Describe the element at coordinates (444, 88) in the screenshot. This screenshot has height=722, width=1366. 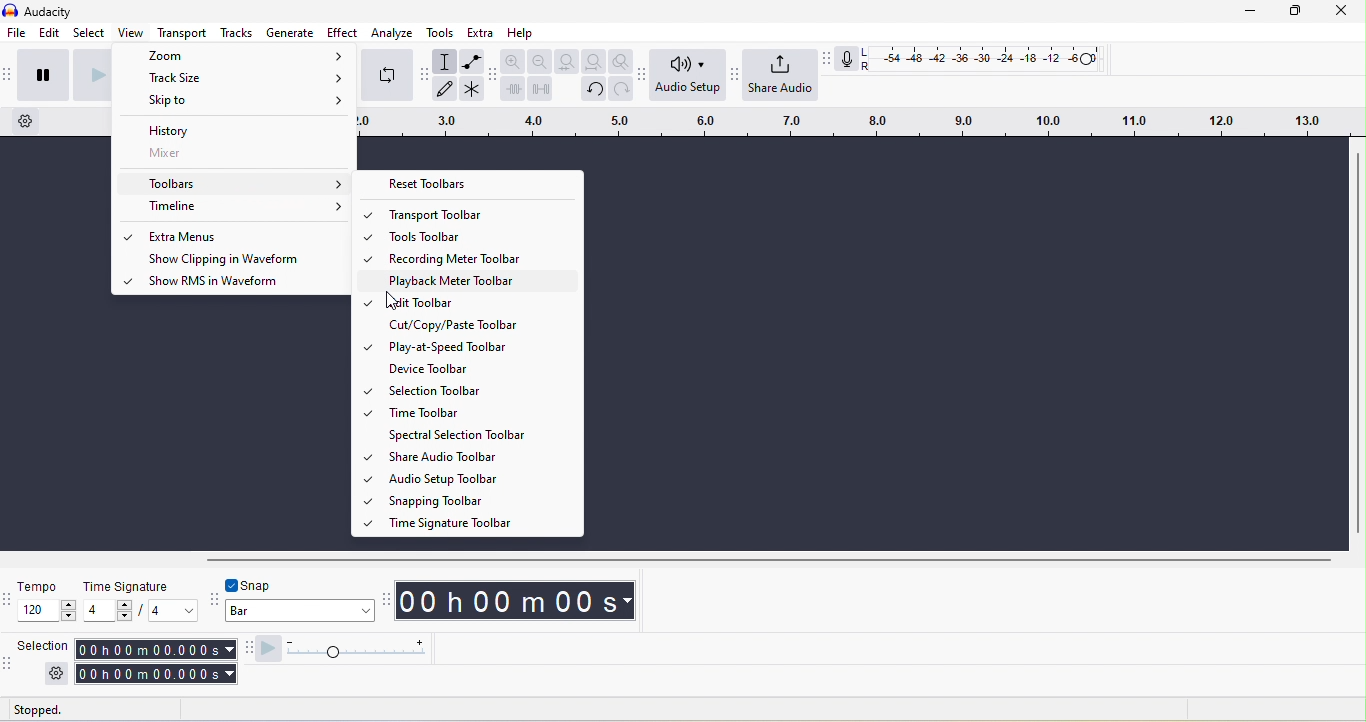
I see `draw tool` at that location.